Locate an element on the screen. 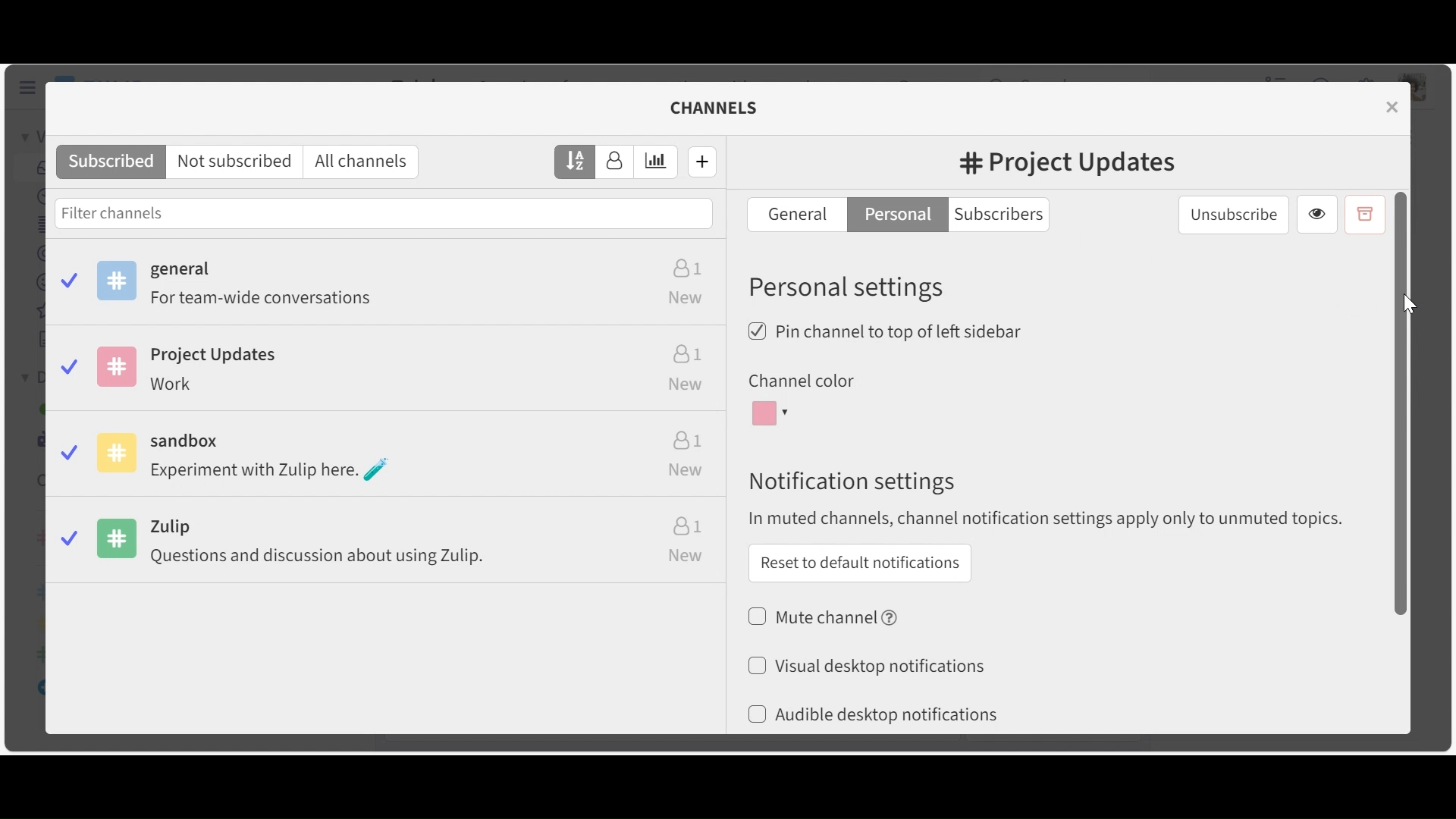  Archive channel is located at coordinates (1364, 215).